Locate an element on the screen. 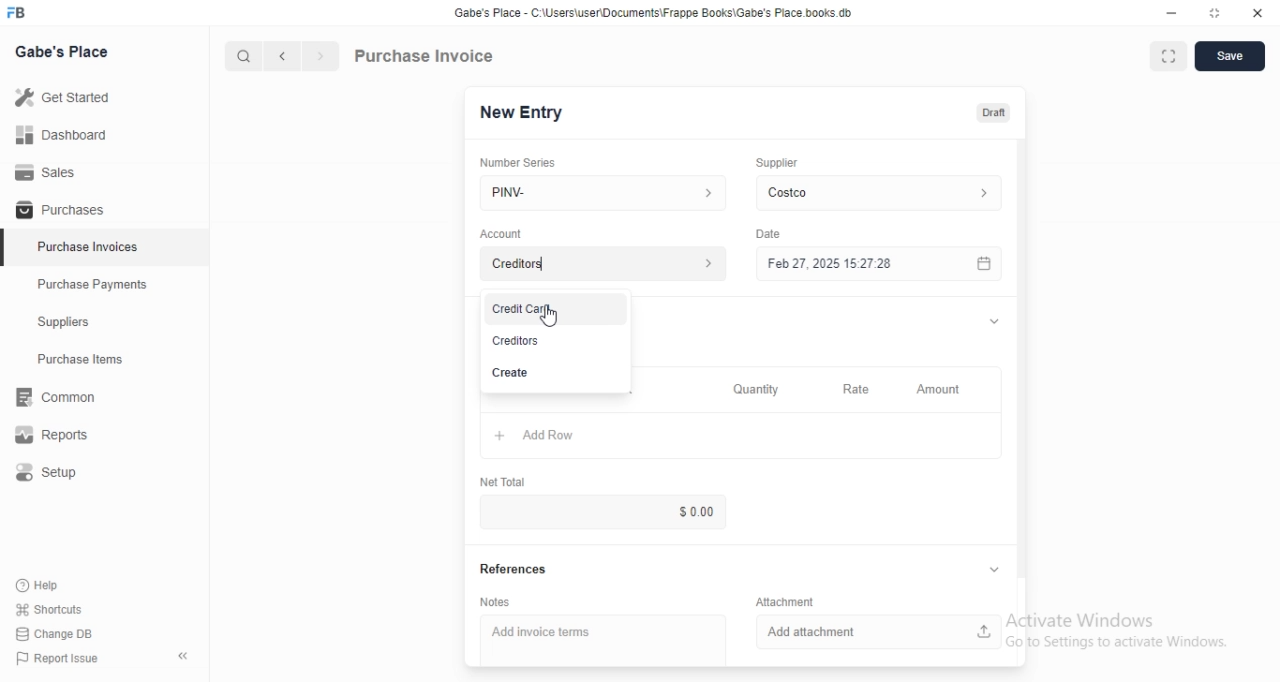  Quantity is located at coordinates (757, 389).